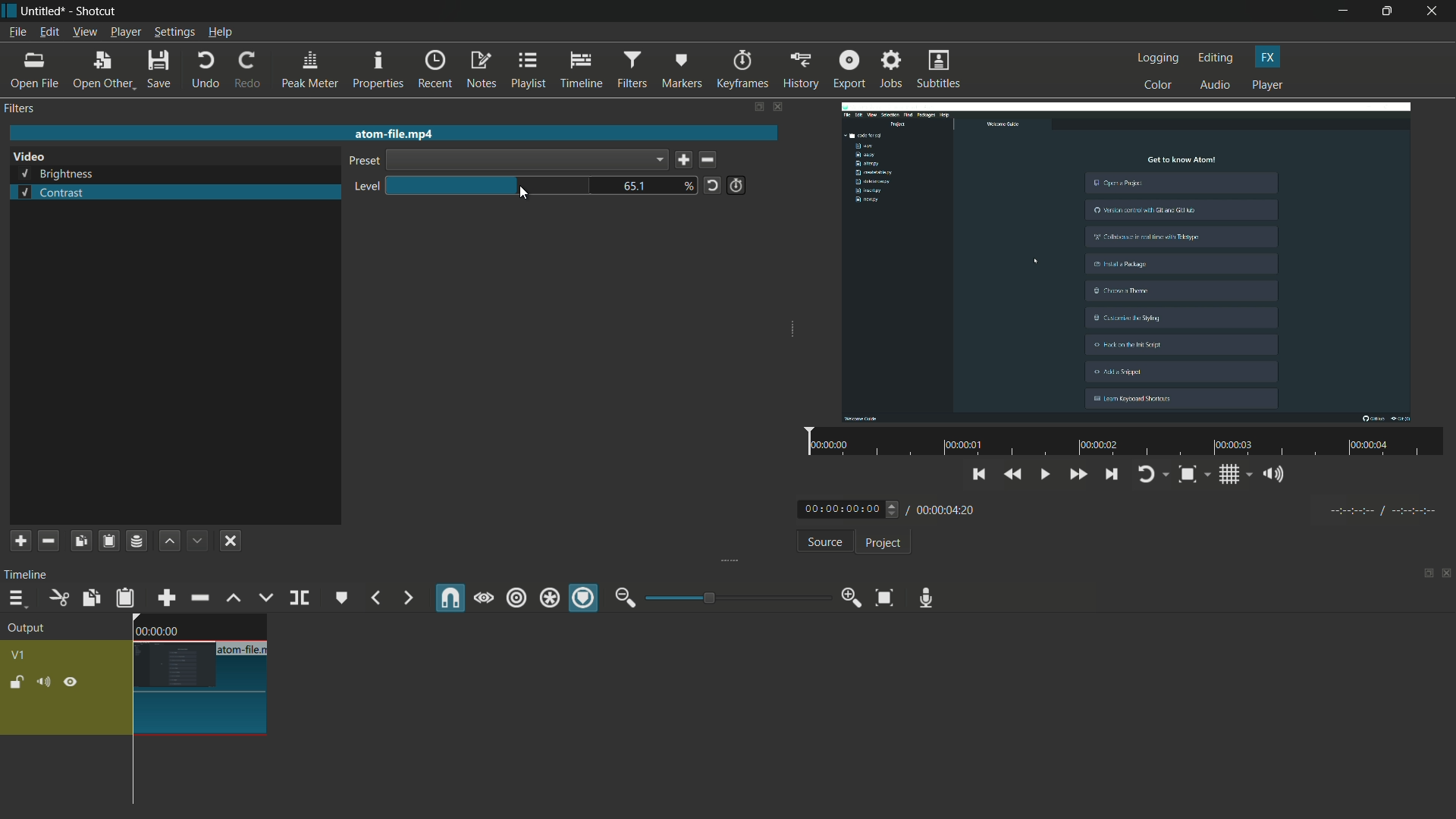 The height and width of the screenshot is (819, 1456). I want to click on play quickly backwards, so click(1014, 475).